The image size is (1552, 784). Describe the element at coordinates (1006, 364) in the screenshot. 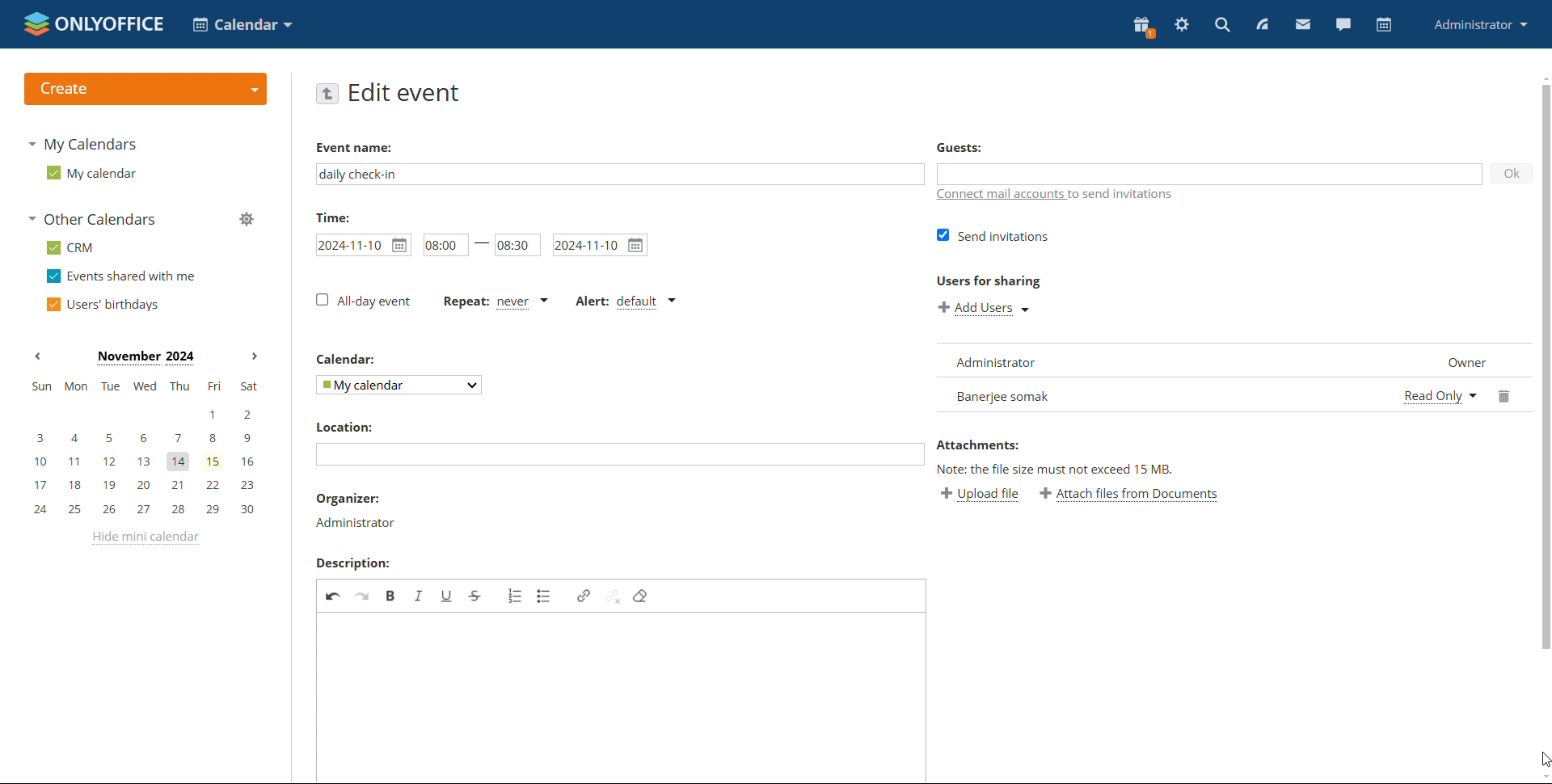

I see `administrator` at that location.